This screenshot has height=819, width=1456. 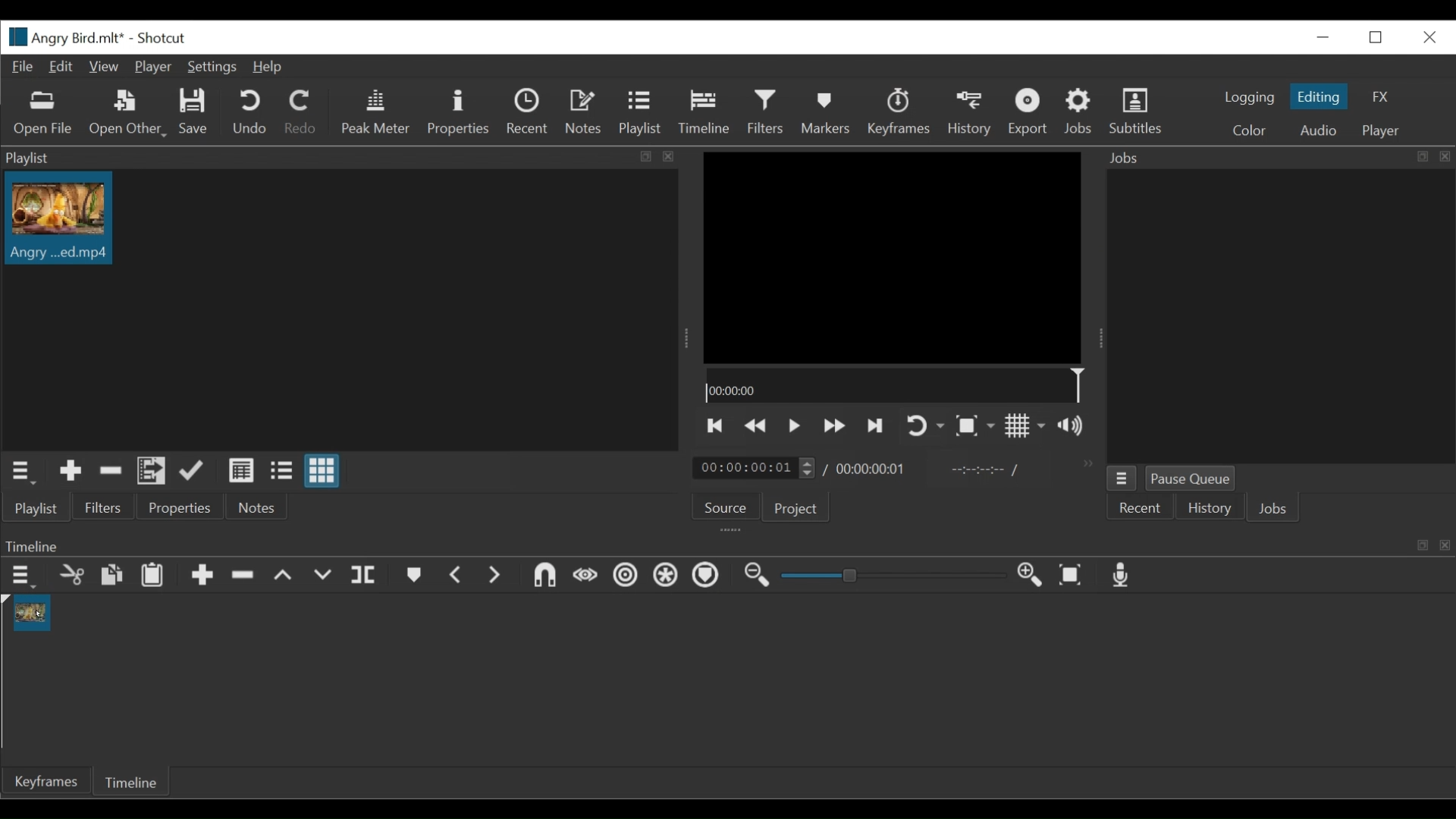 I want to click on Media Viewer, so click(x=894, y=257).